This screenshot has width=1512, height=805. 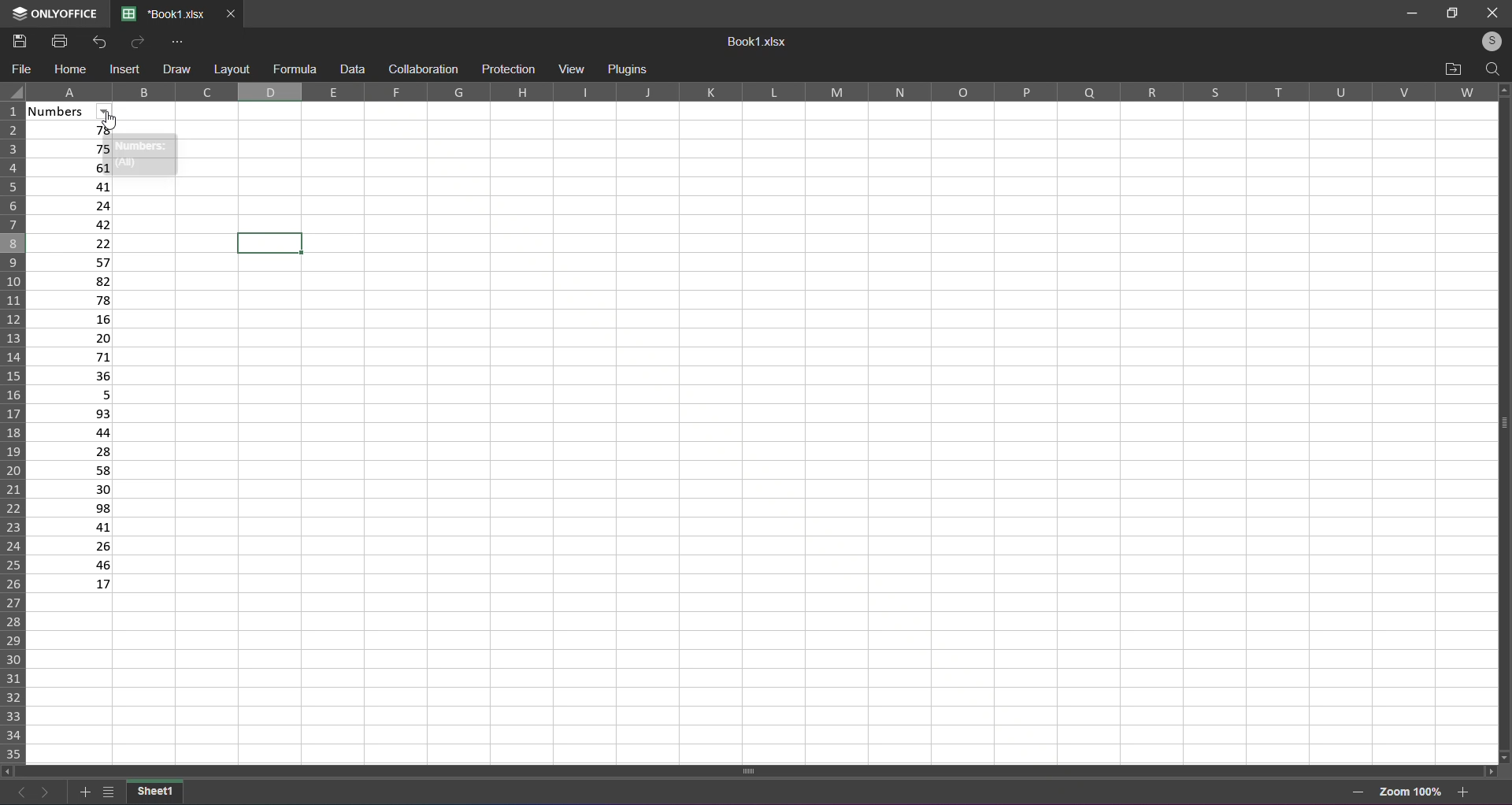 I want to click on search, so click(x=1492, y=69).